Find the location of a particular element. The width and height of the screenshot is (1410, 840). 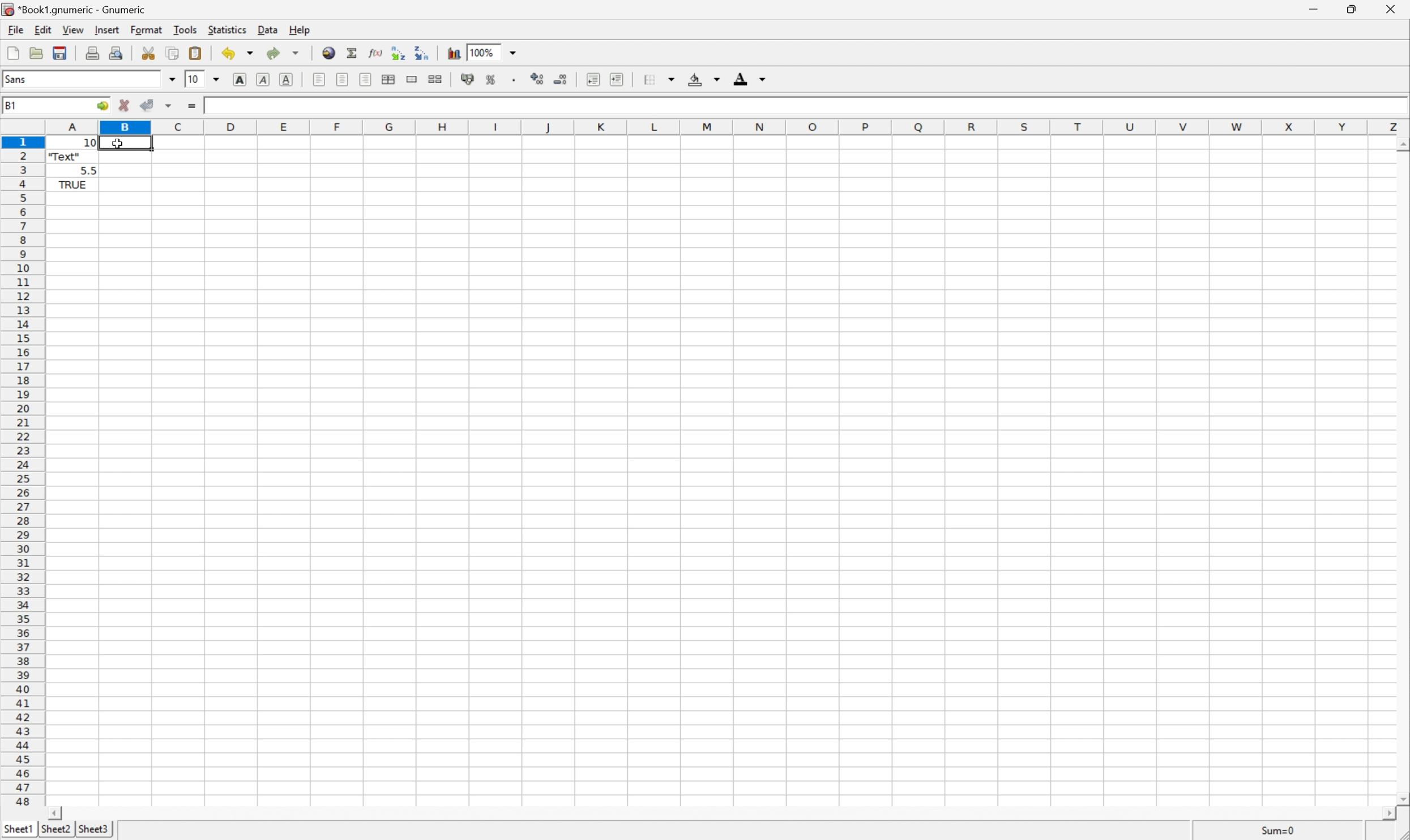

Sheet1 is located at coordinates (17, 830).